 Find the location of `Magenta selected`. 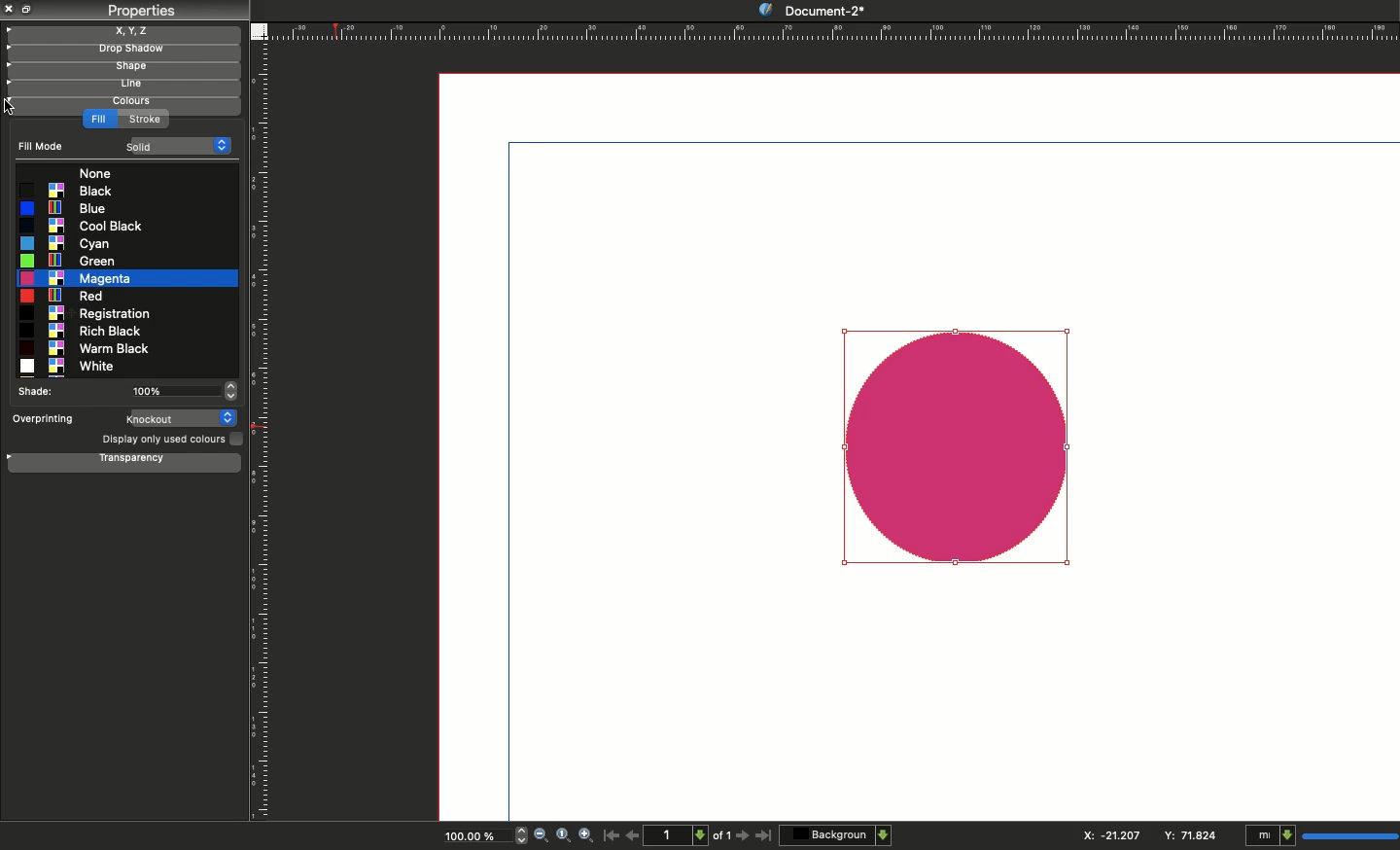

Magenta selected is located at coordinates (122, 279).